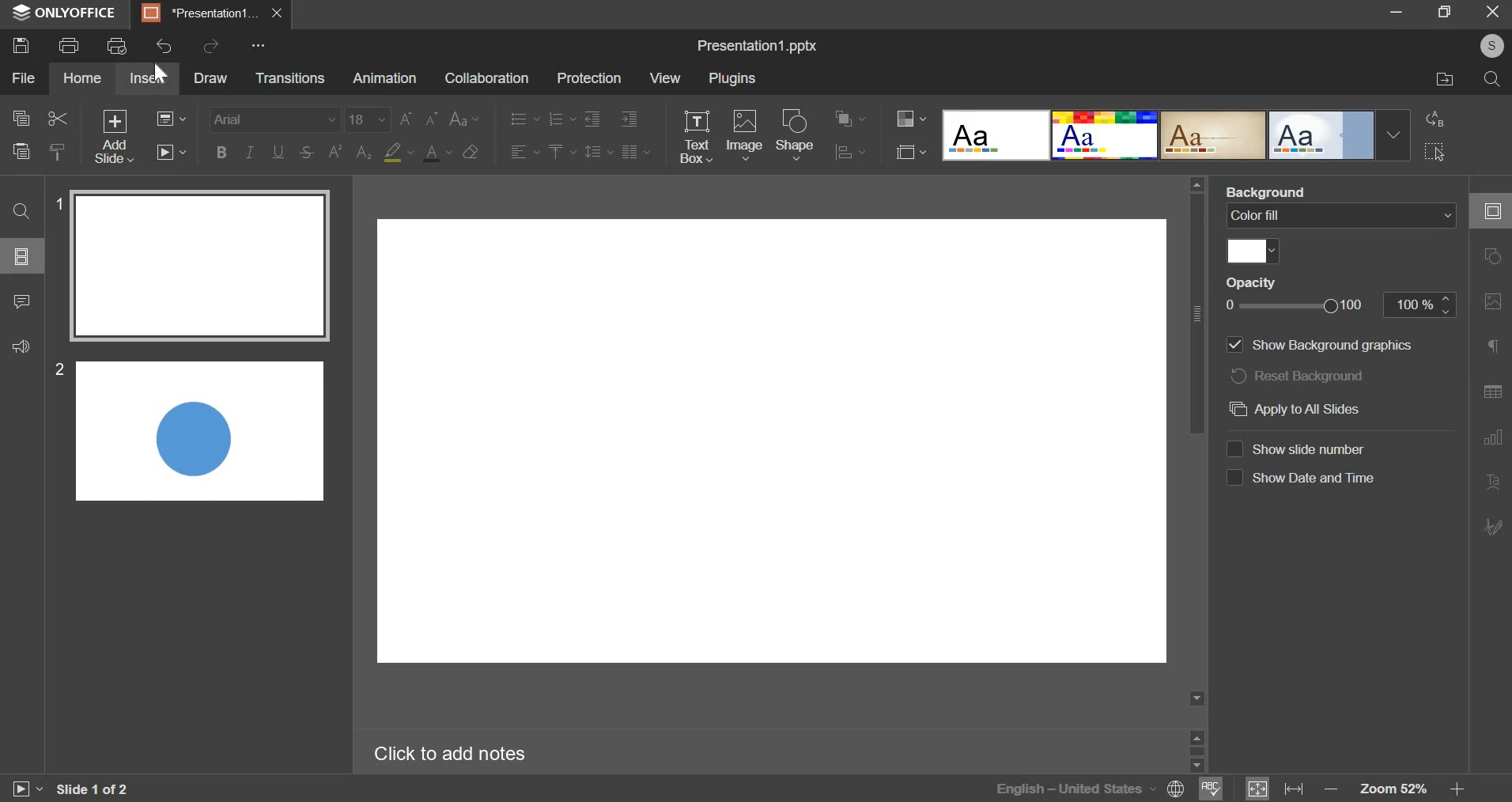  I want to click on paste, so click(22, 150).